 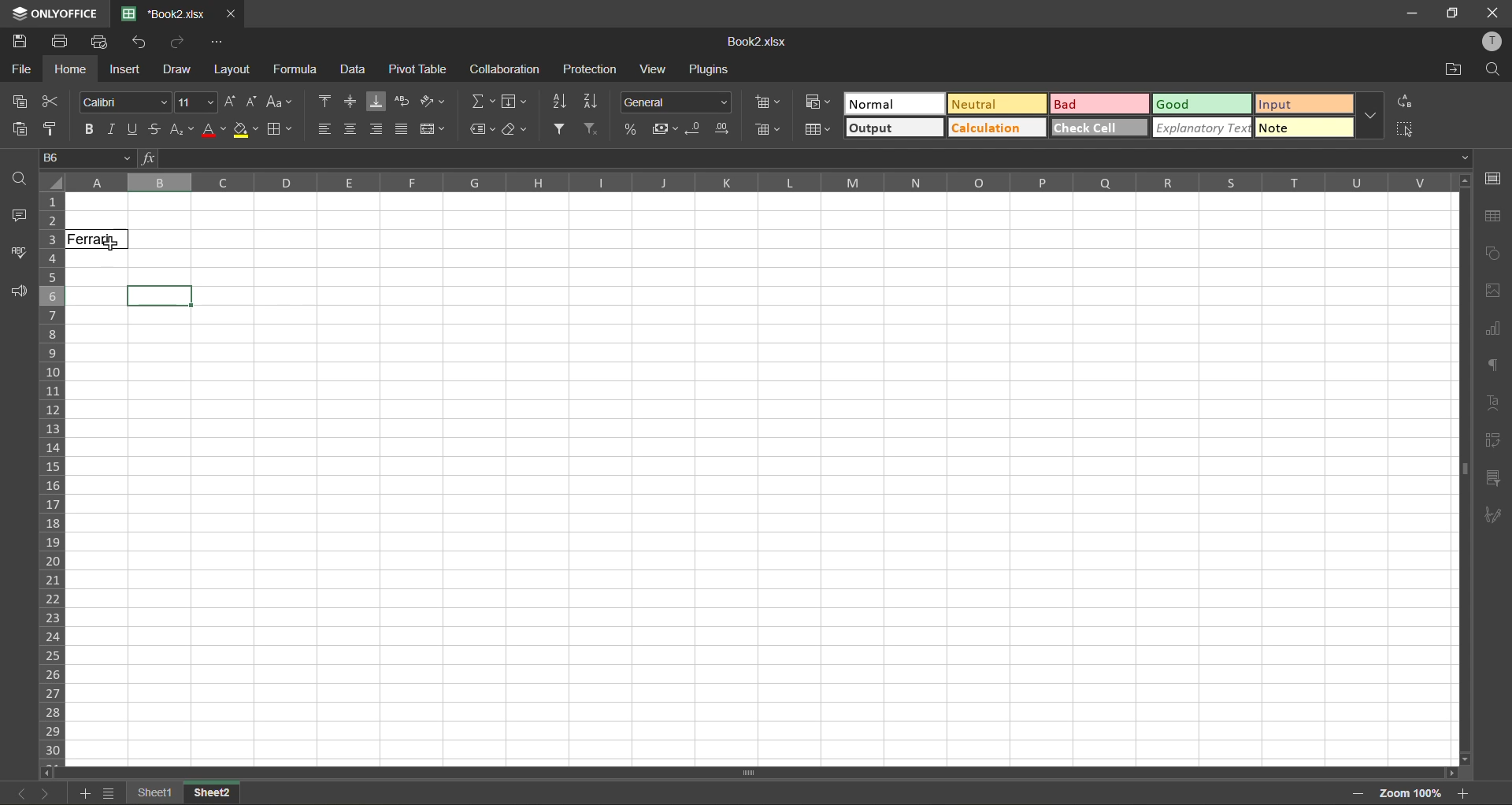 I want to click on conditional formatting, so click(x=818, y=100).